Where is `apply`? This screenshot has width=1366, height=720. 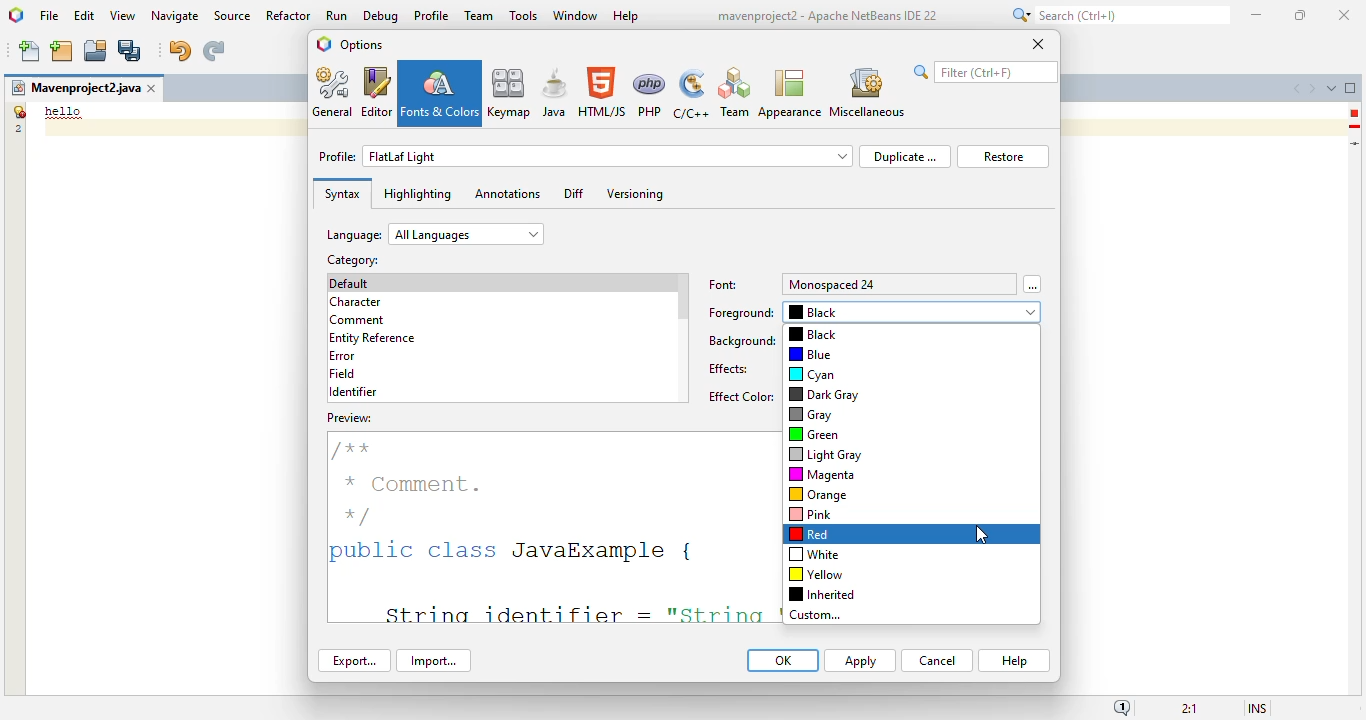
apply is located at coordinates (860, 661).